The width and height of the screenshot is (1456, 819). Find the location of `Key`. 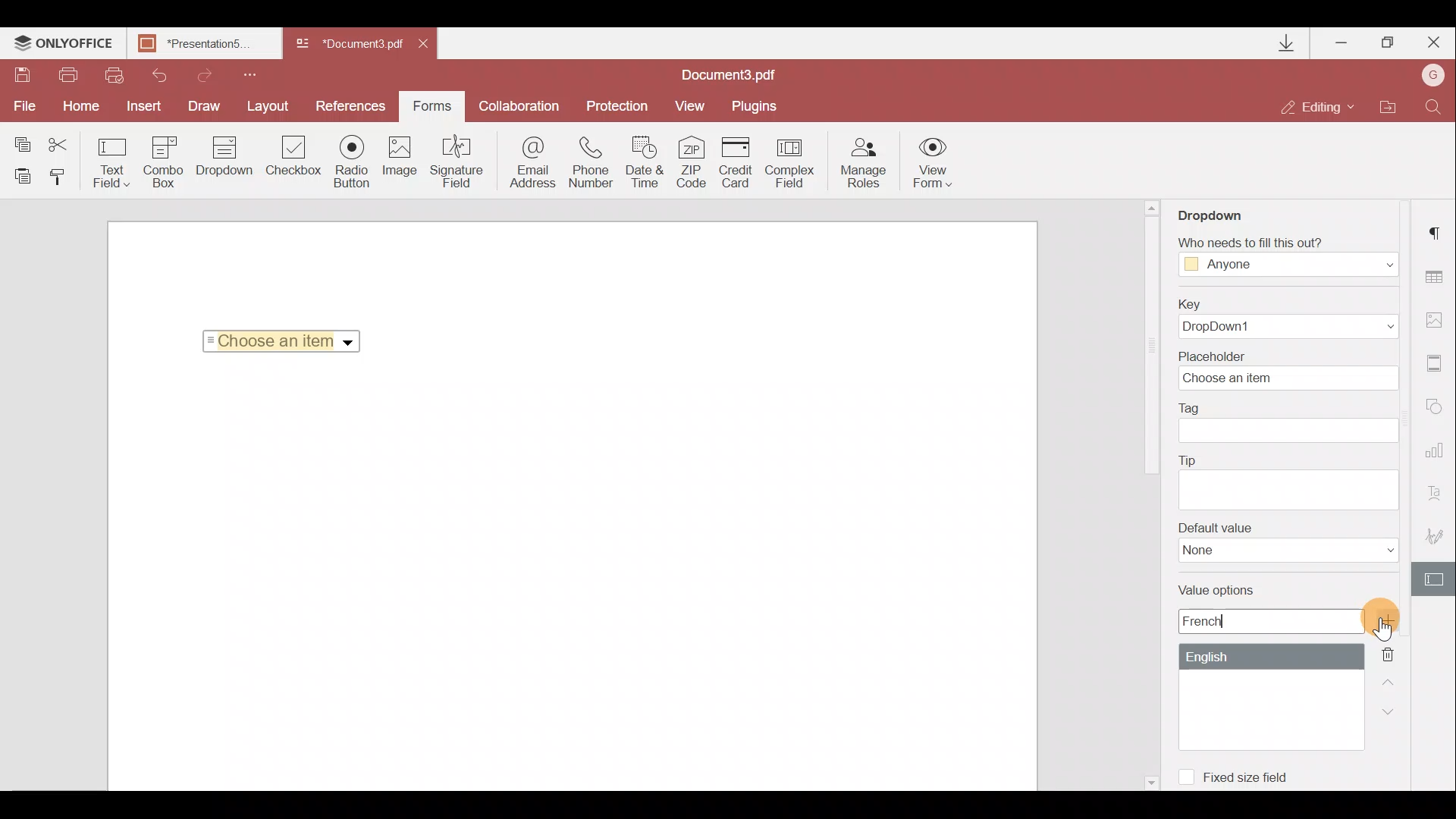

Key is located at coordinates (1282, 318).